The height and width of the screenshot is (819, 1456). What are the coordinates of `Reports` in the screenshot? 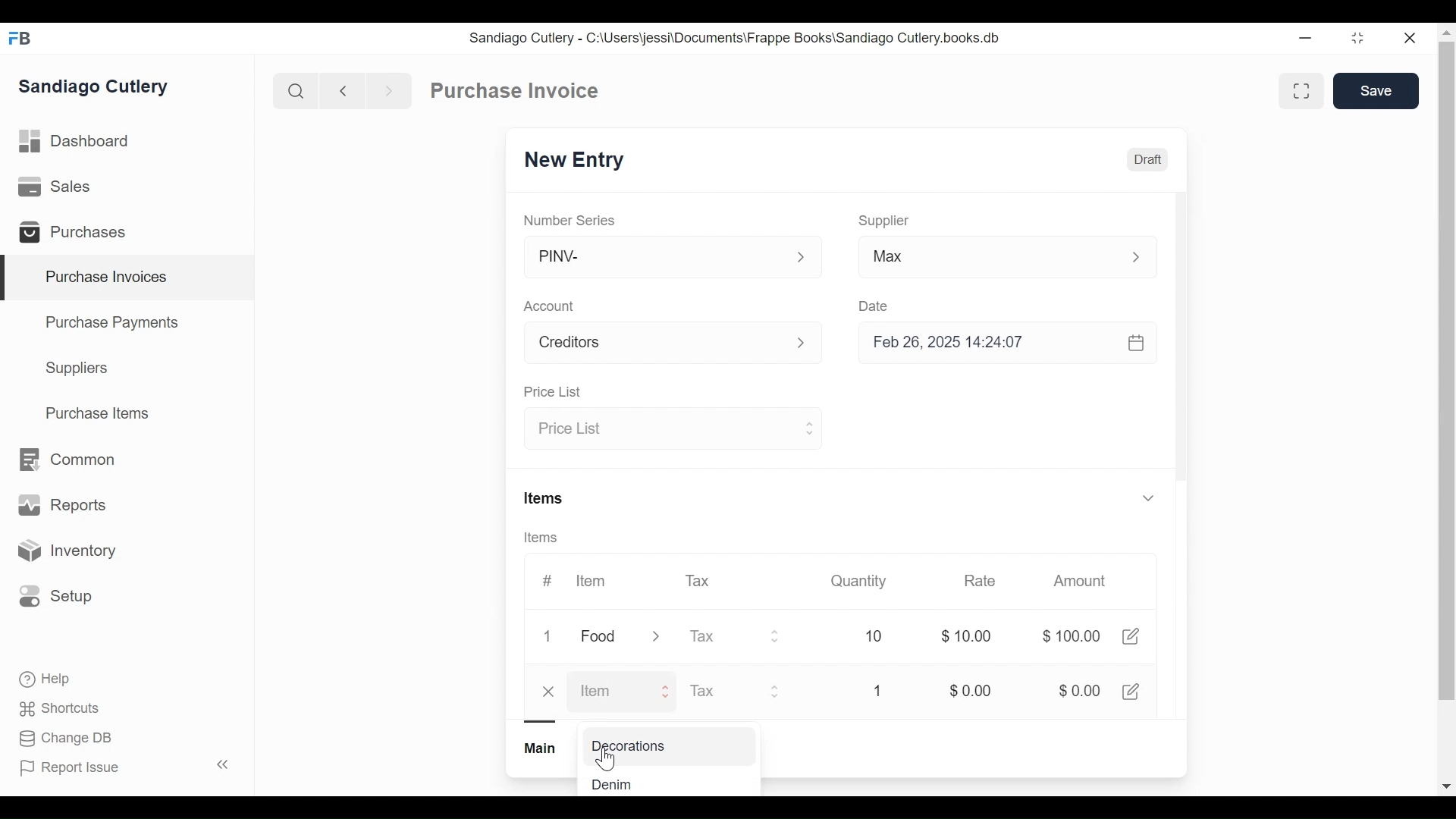 It's located at (62, 508).